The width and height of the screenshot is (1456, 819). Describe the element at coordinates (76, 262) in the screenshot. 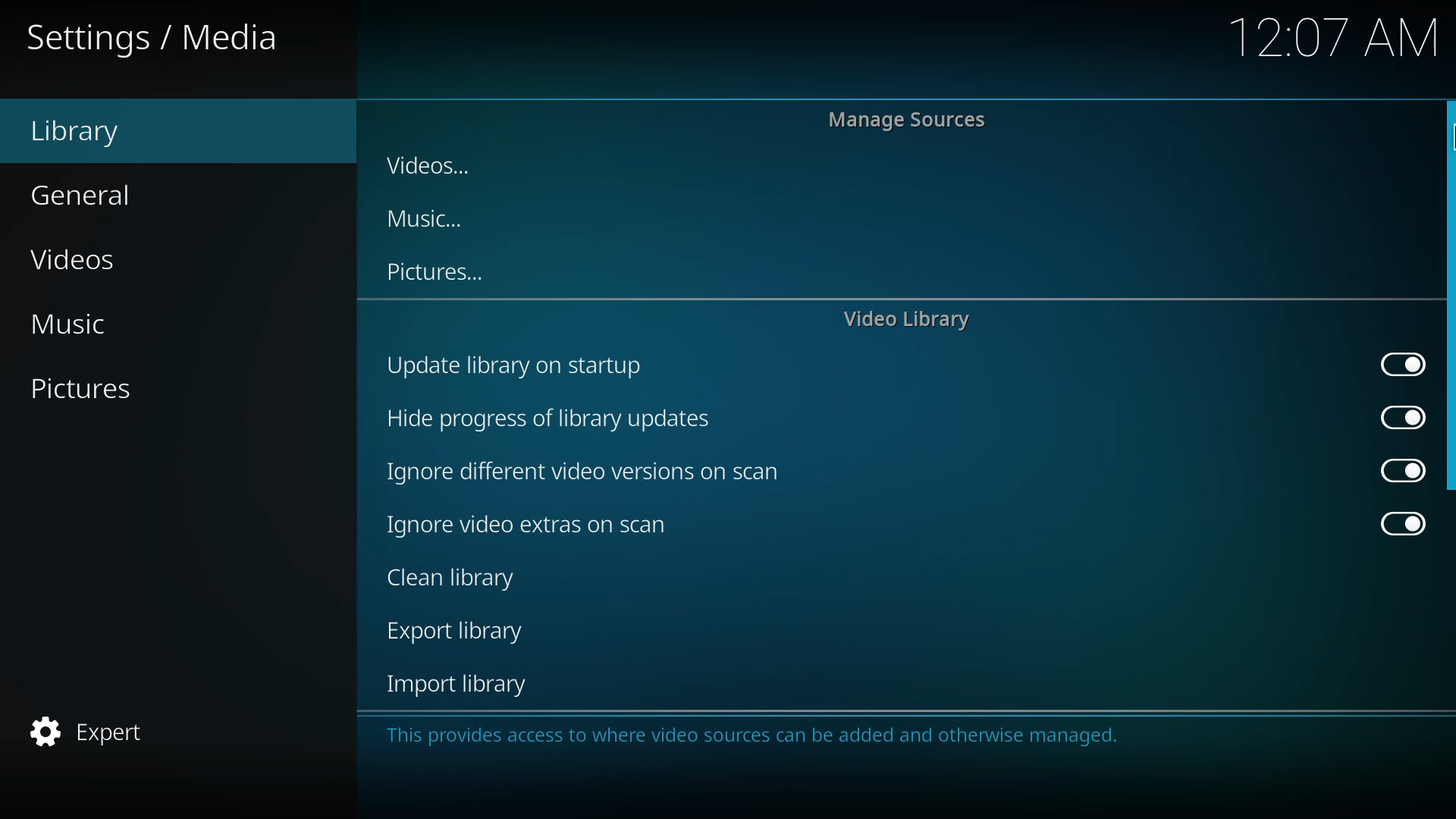

I see `videos` at that location.